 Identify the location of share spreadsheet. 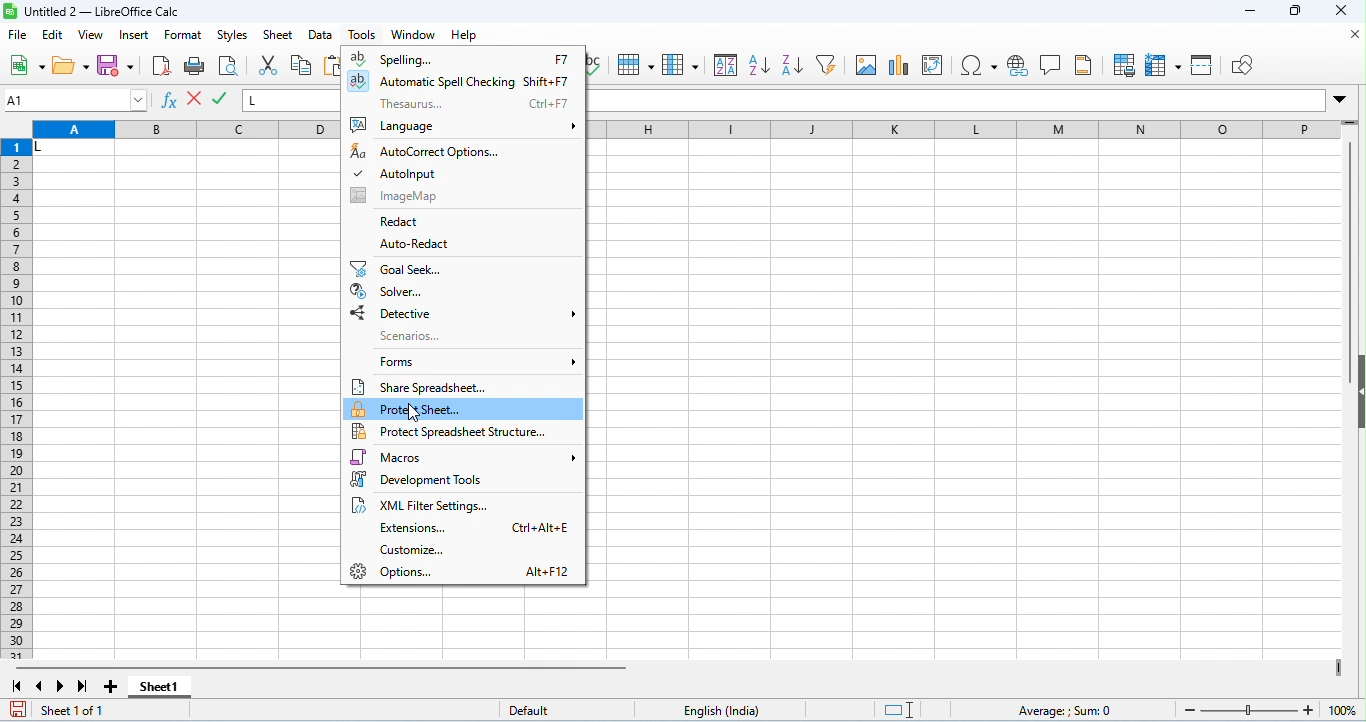
(436, 387).